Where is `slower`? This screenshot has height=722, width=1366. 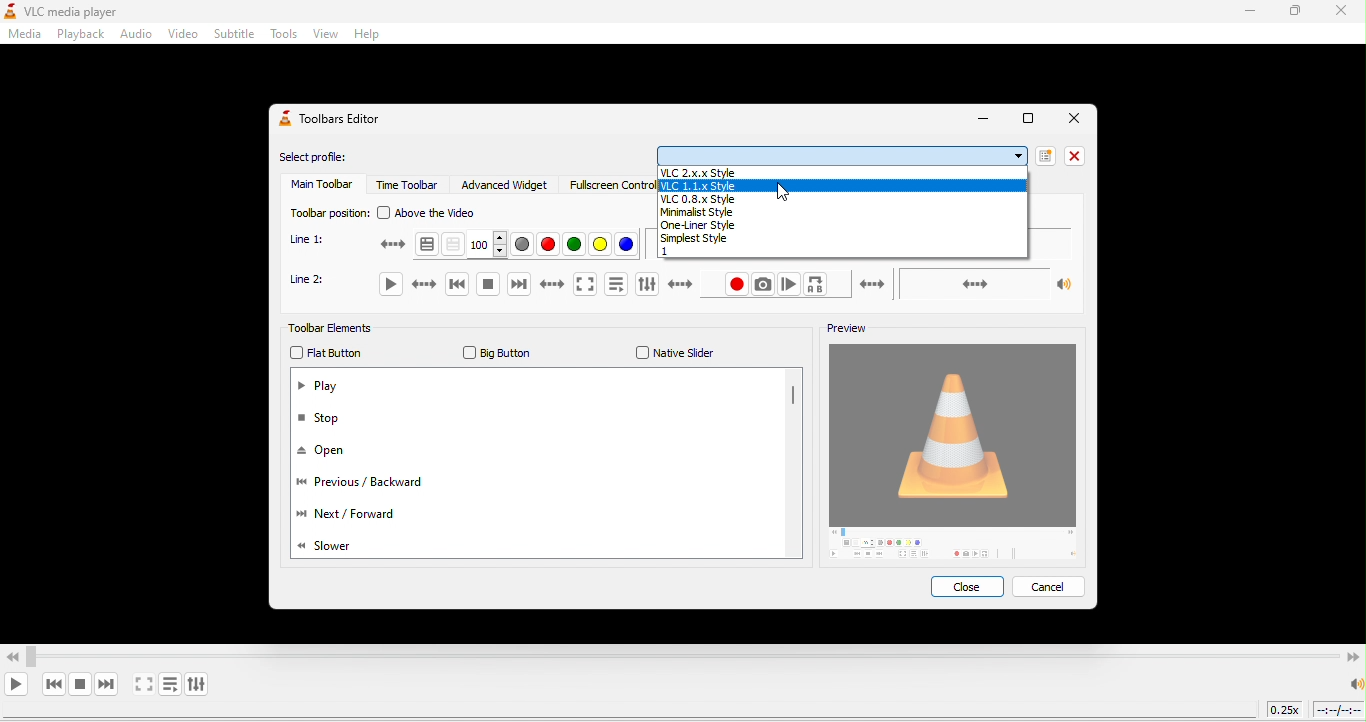
slower is located at coordinates (336, 545).